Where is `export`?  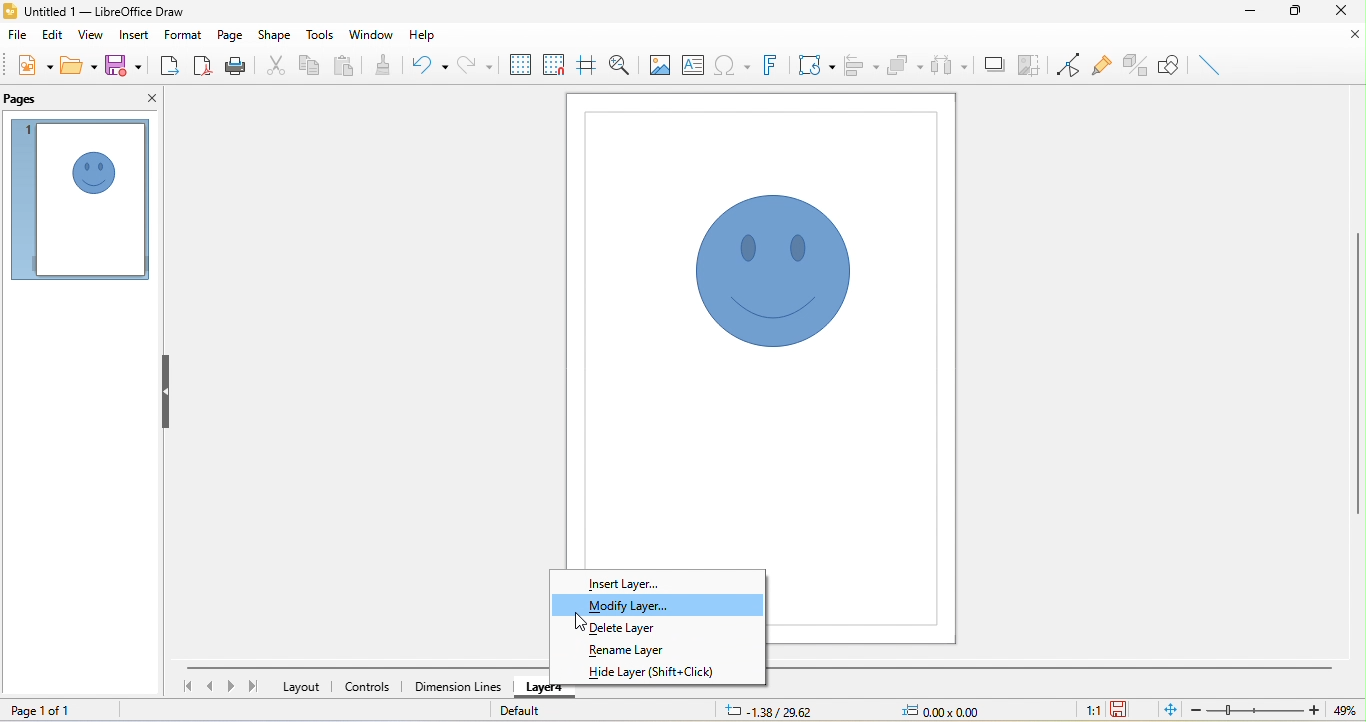
export is located at coordinates (167, 63).